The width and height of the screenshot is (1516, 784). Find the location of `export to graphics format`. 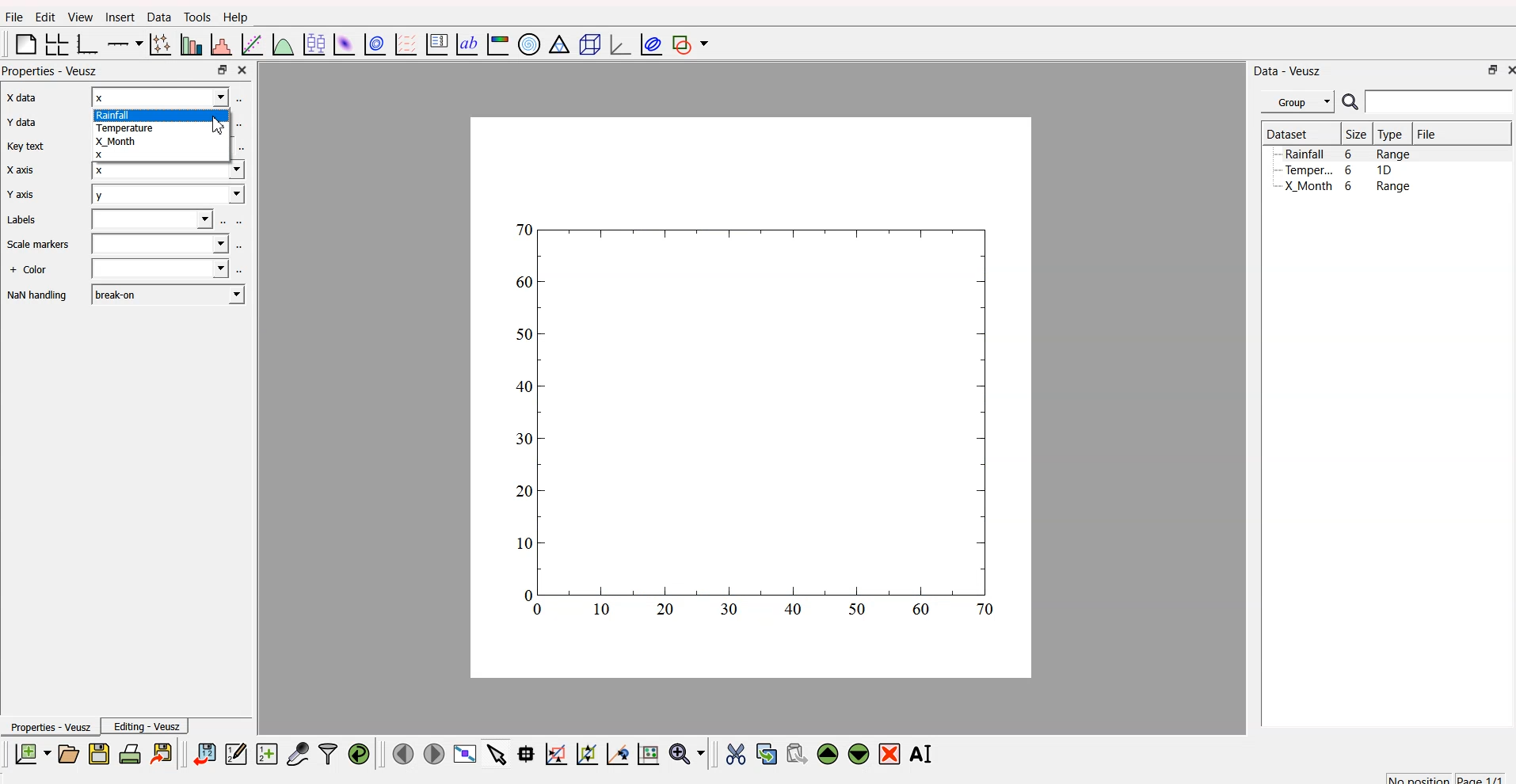

export to graphics format is located at coordinates (164, 752).